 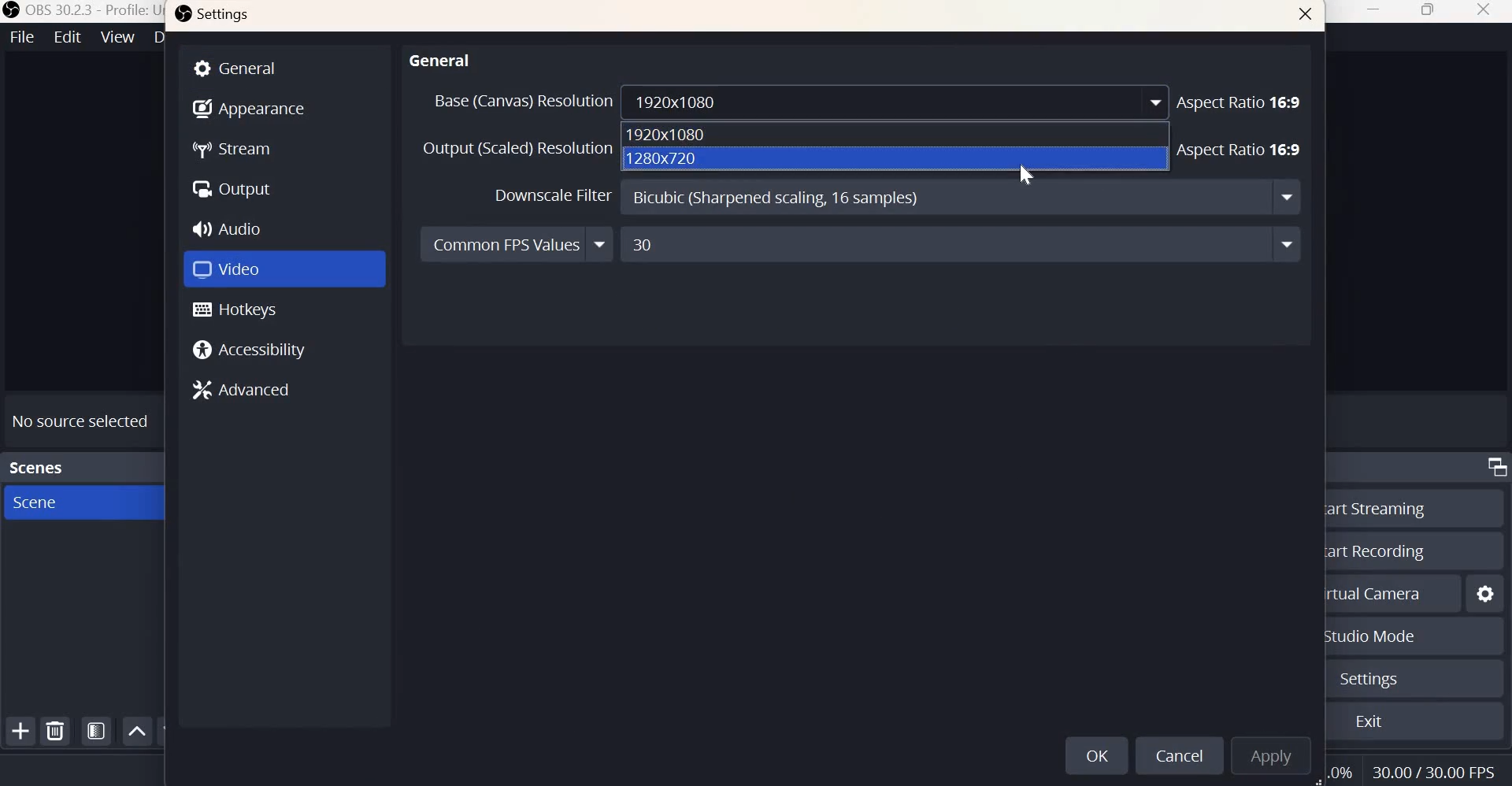 What do you see at coordinates (232, 226) in the screenshot?
I see `Audio` at bounding box center [232, 226].